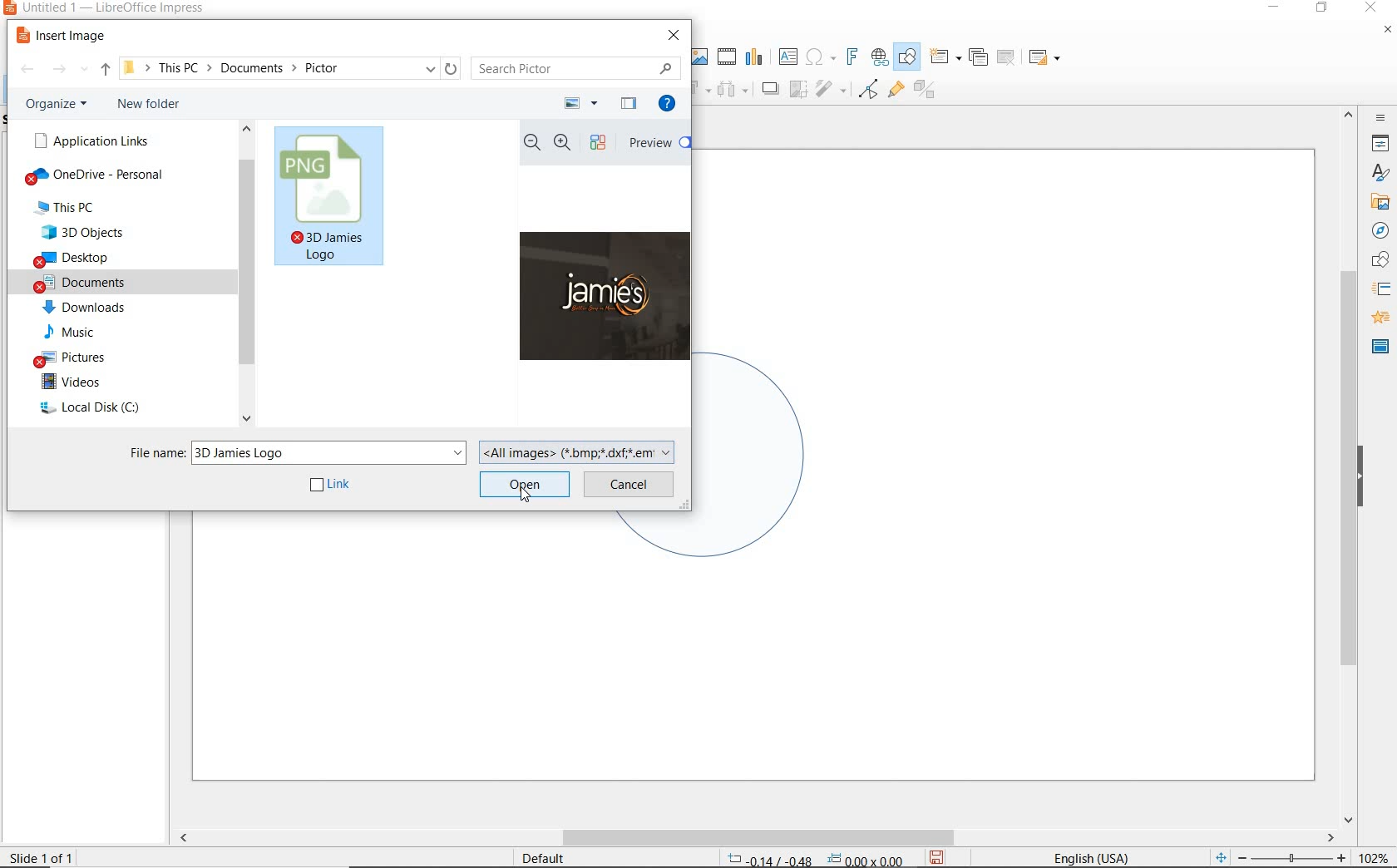 The height and width of the screenshot is (868, 1397). What do you see at coordinates (907, 57) in the screenshot?
I see `show draw functions` at bounding box center [907, 57].